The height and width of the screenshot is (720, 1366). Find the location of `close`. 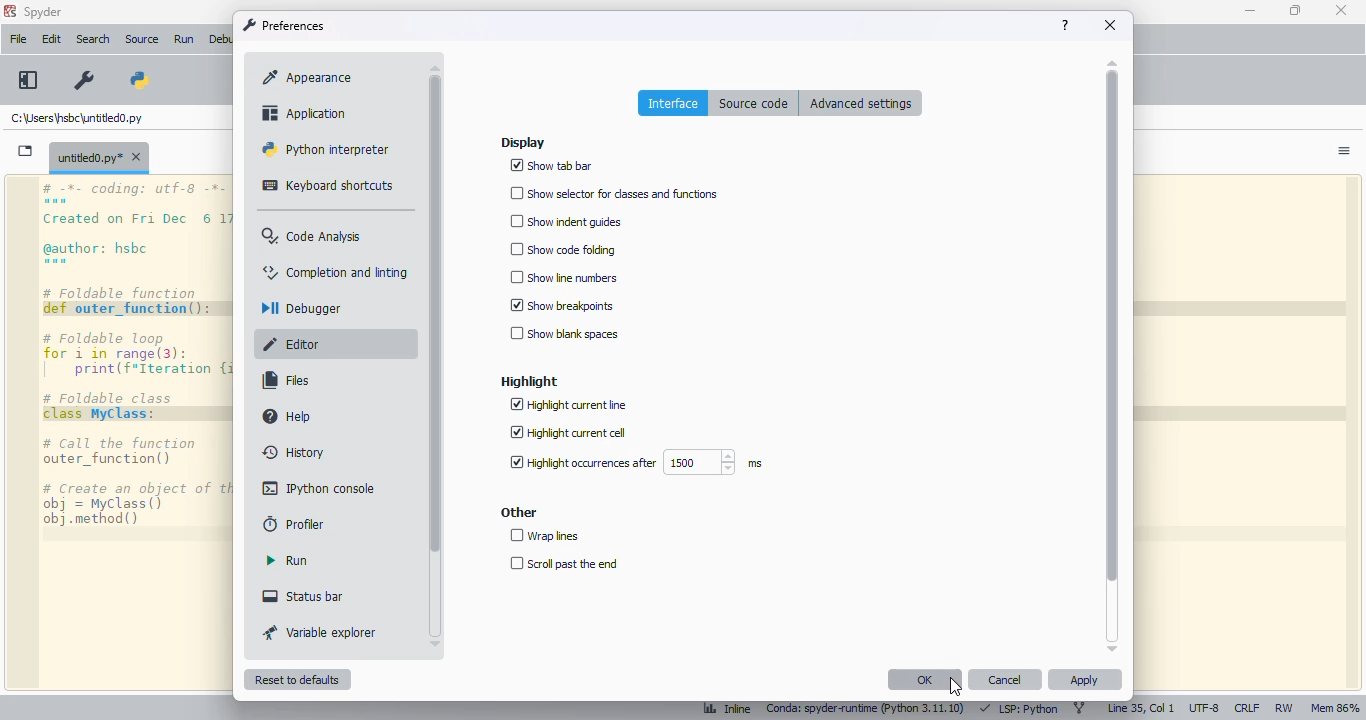

close is located at coordinates (1110, 25).